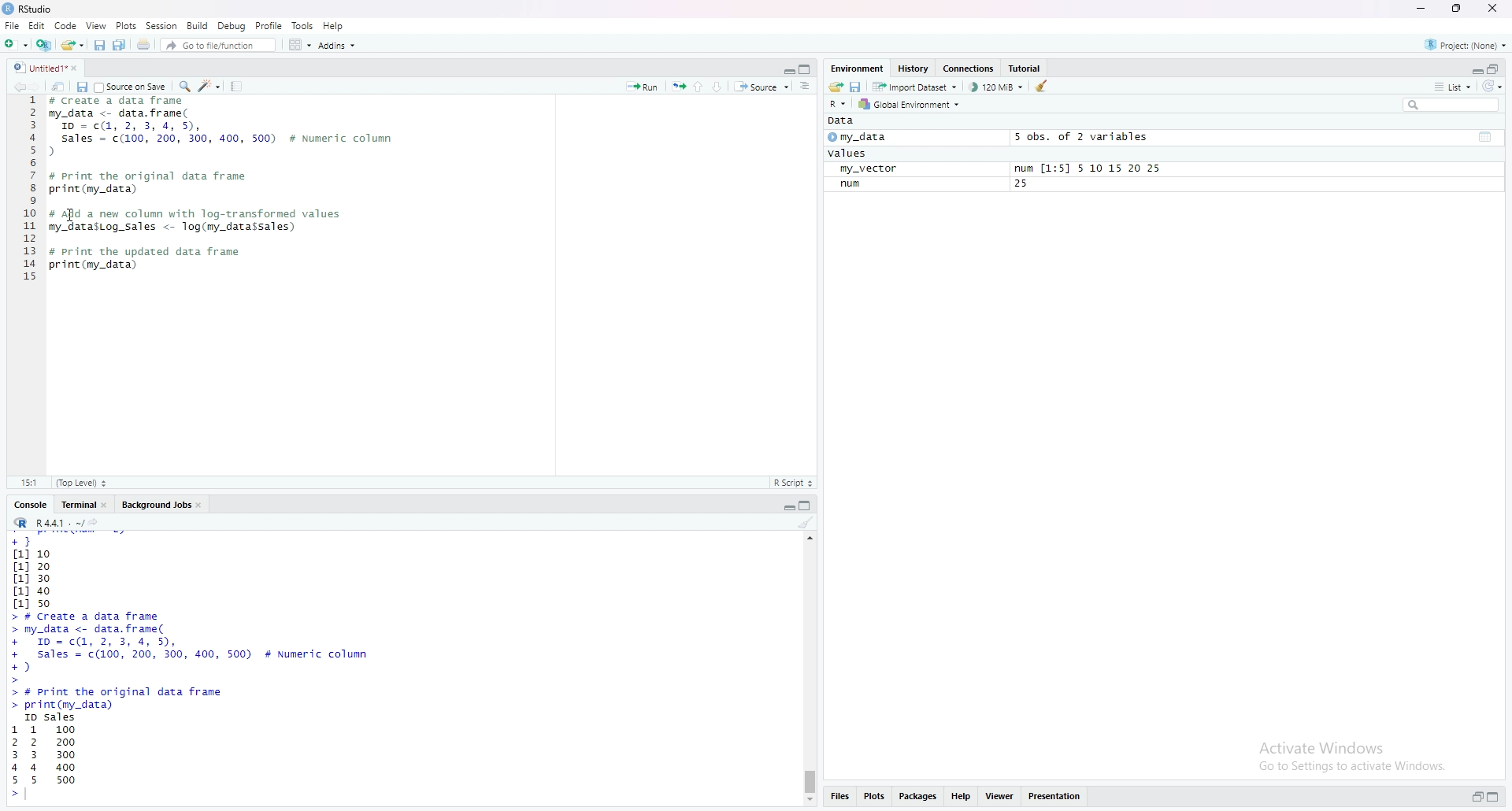 This screenshot has height=811, width=1512. I want to click on presentation, so click(1058, 799).